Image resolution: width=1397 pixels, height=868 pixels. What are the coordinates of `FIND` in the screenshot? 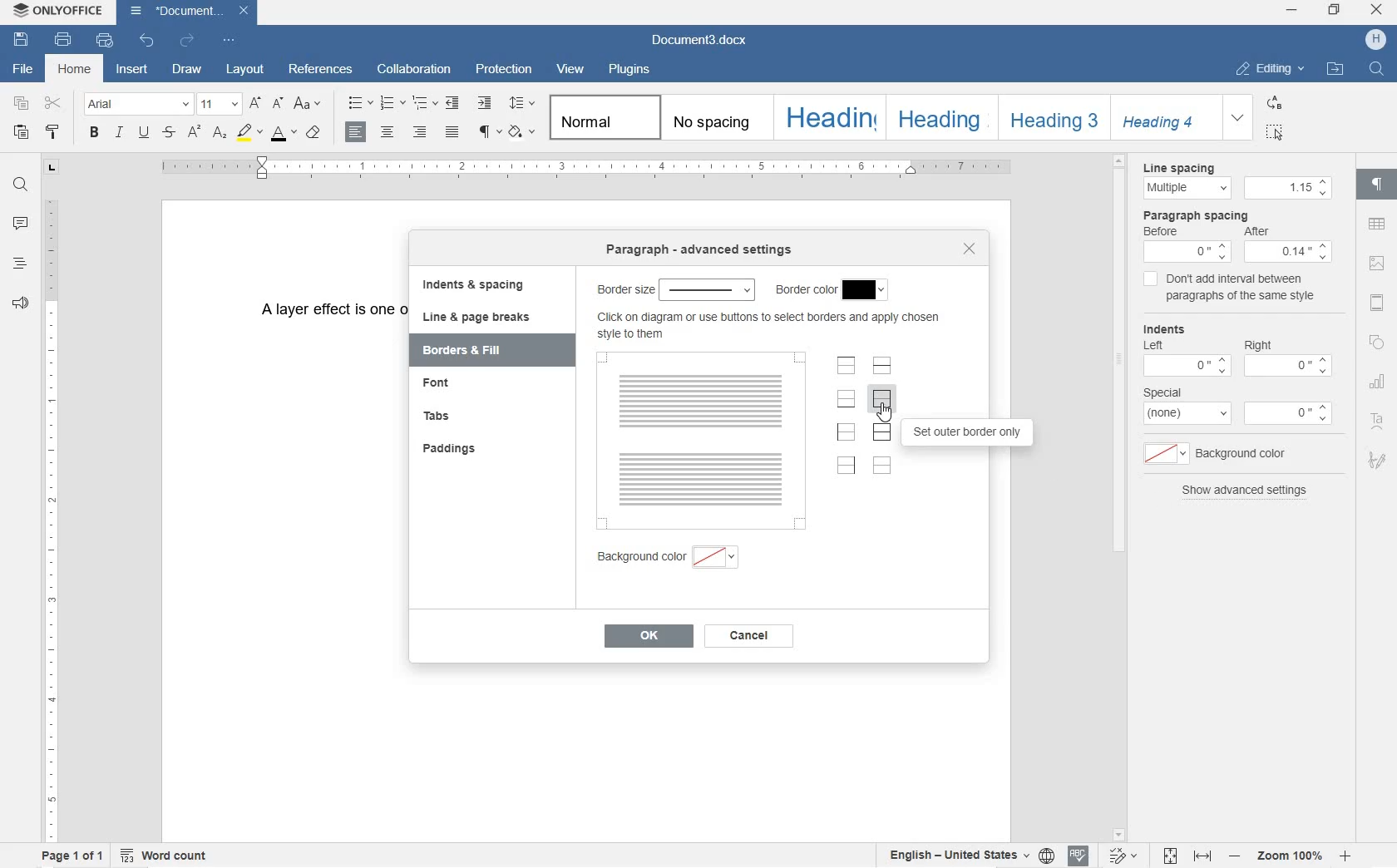 It's located at (1376, 69).